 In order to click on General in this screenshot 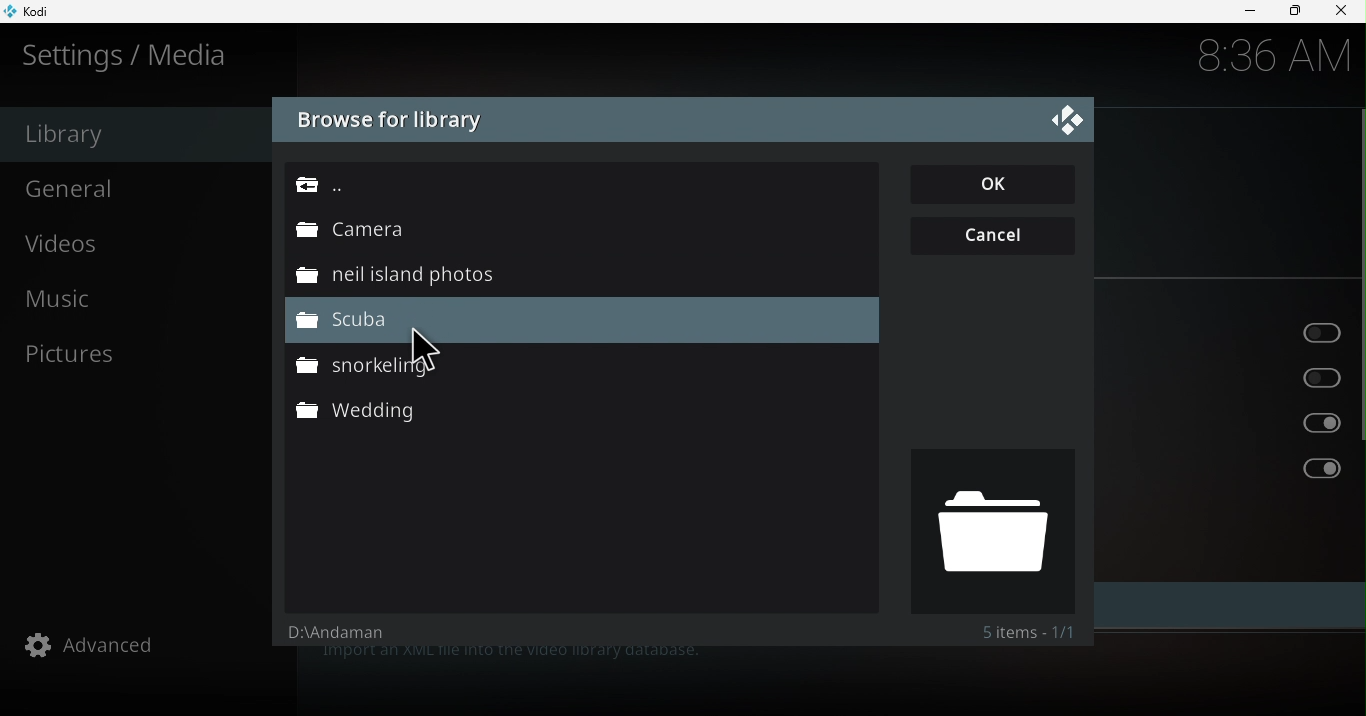, I will do `click(138, 187)`.